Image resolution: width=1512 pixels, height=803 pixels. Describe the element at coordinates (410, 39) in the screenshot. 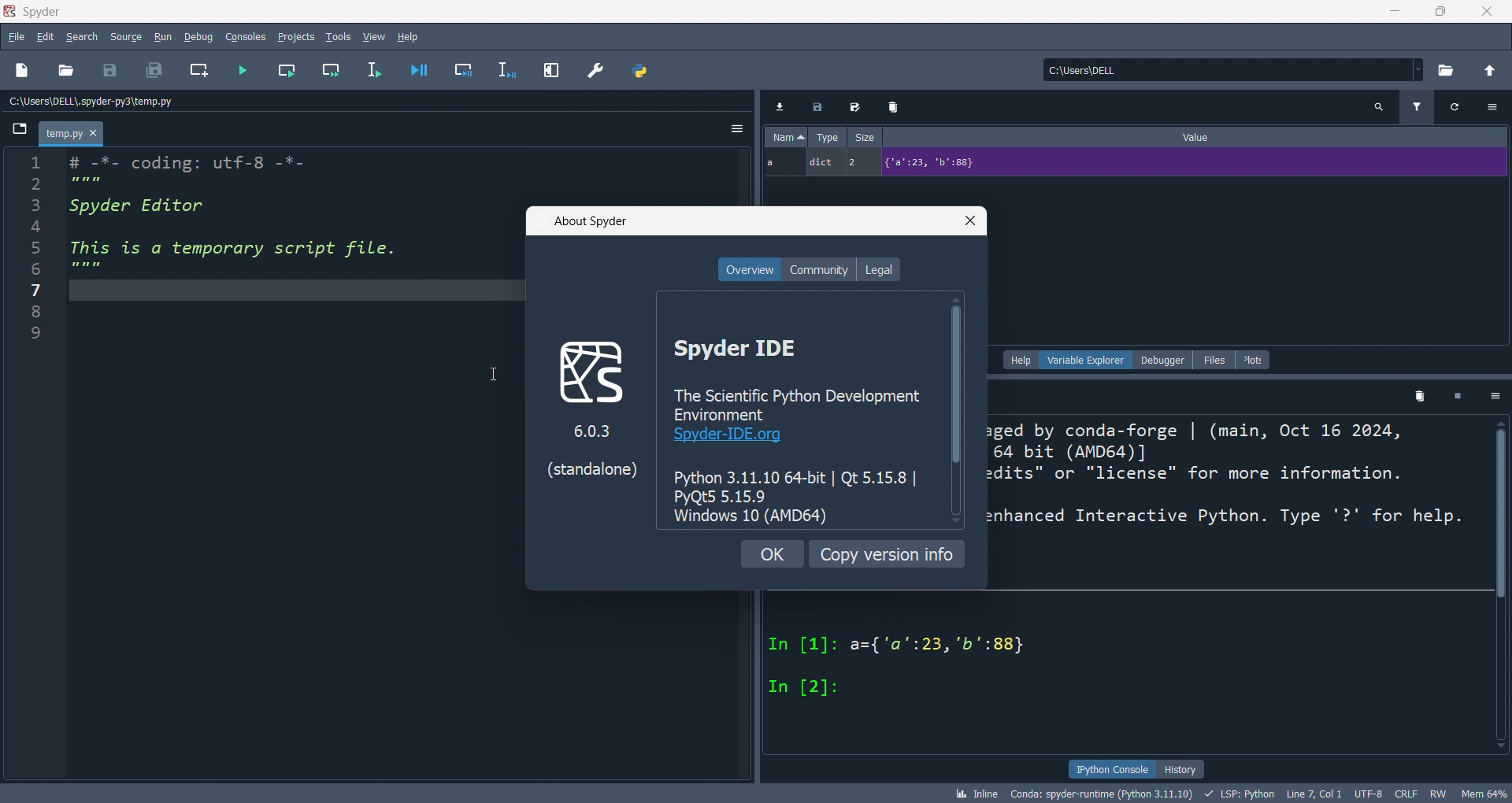

I see `help` at that location.